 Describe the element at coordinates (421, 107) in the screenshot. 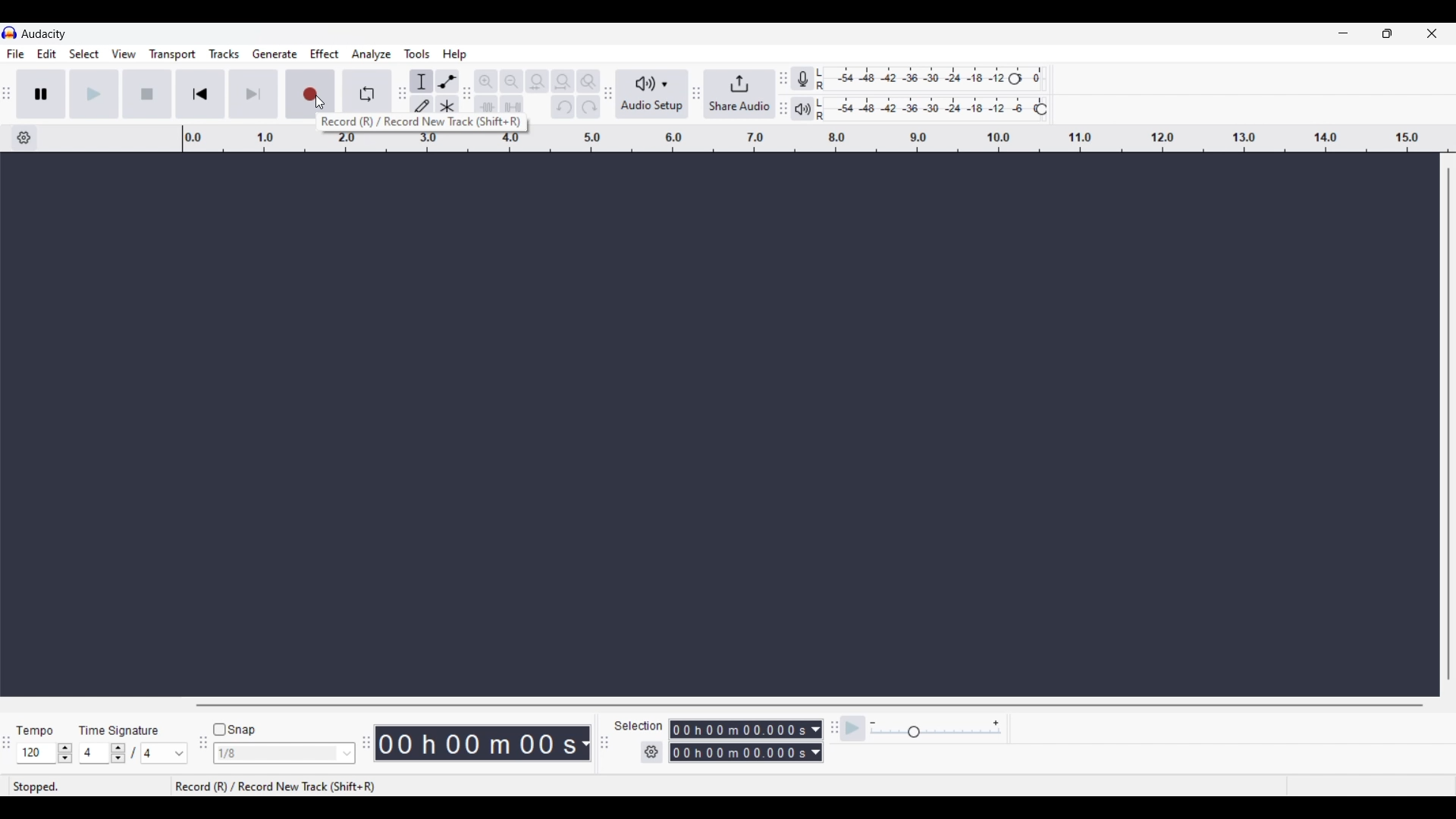

I see `Draw tool` at that location.